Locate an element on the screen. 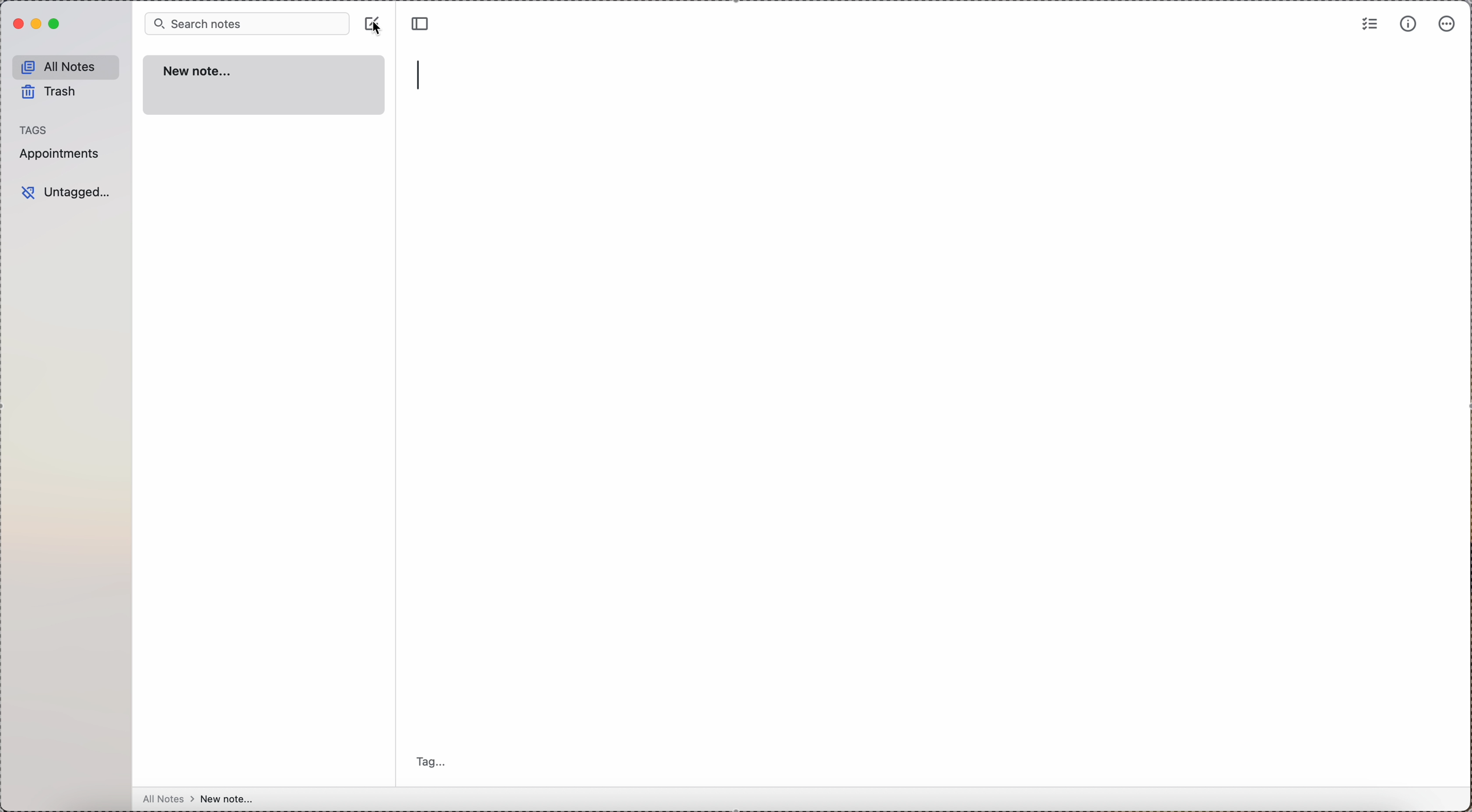  more options is located at coordinates (1448, 25).